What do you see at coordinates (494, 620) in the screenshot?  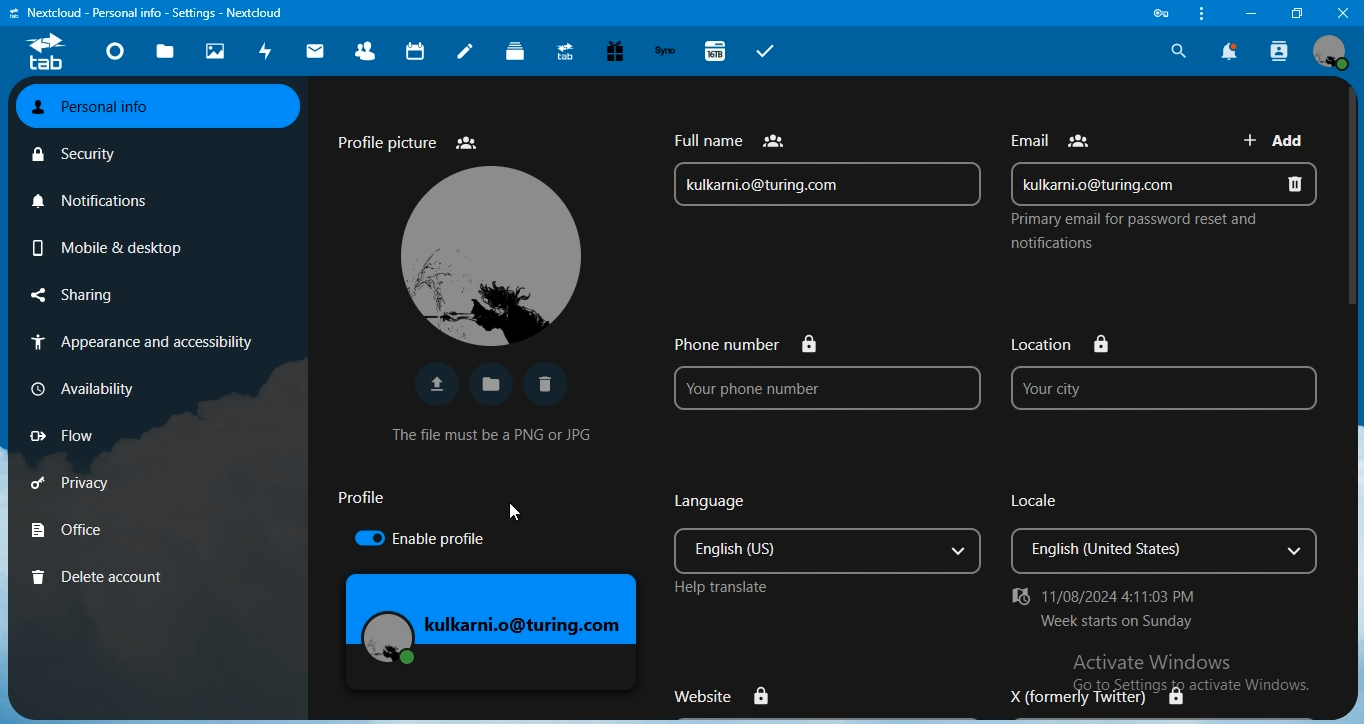 I see `Kulkarni.o@turing.com` at bounding box center [494, 620].